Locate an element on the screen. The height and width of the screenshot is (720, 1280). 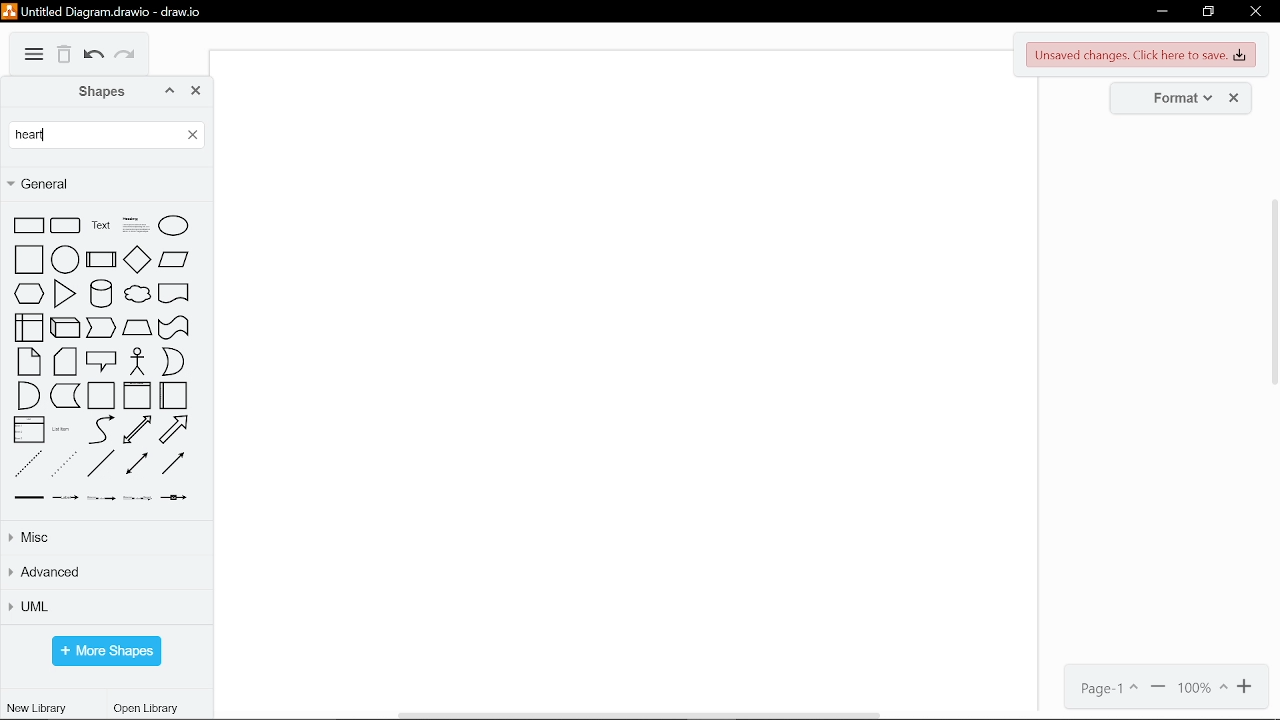
restore down is located at coordinates (1208, 13).